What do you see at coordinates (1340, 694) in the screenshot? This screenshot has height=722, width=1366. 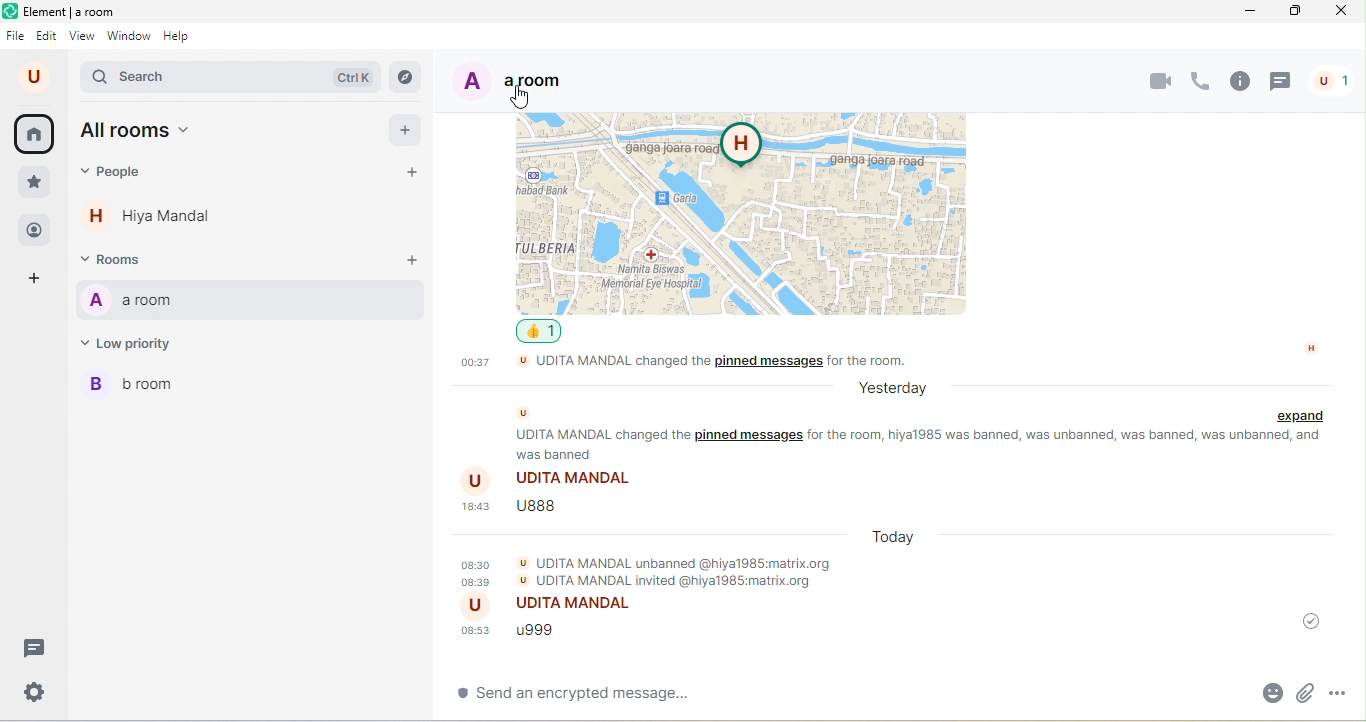 I see `more option` at bounding box center [1340, 694].